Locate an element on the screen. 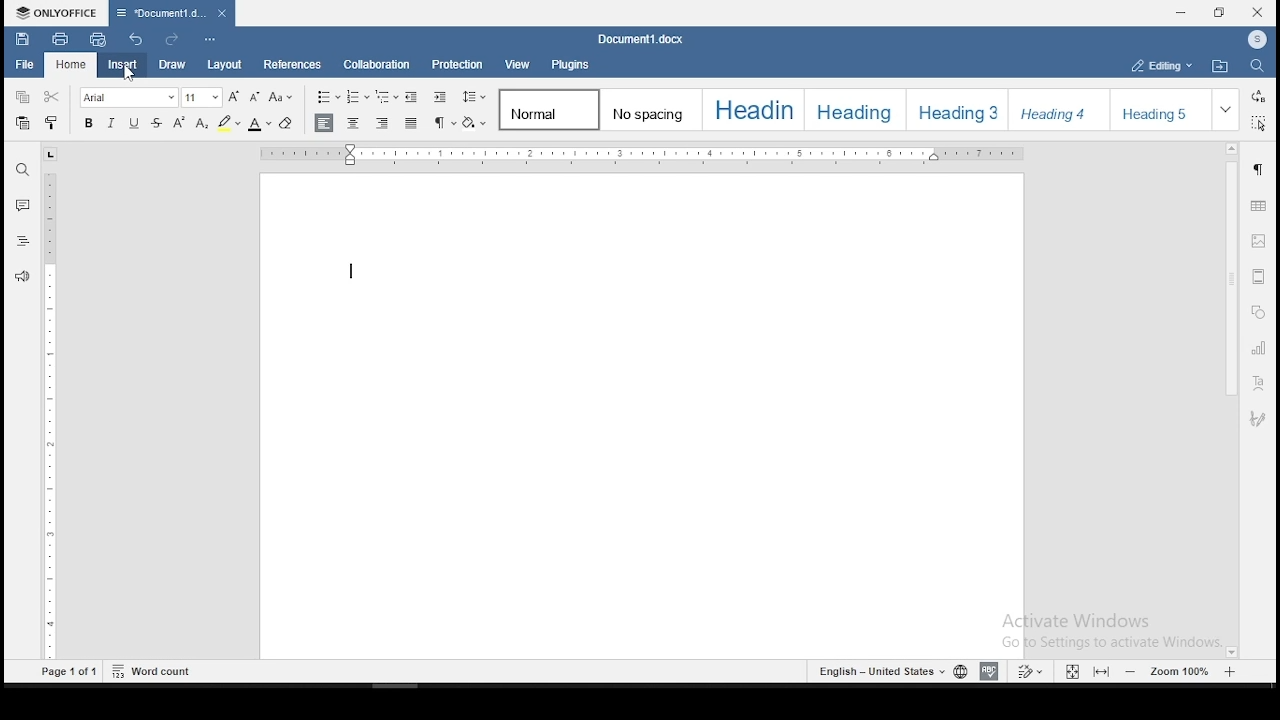 Image resolution: width=1280 pixels, height=720 pixels. languages is located at coordinates (889, 670).